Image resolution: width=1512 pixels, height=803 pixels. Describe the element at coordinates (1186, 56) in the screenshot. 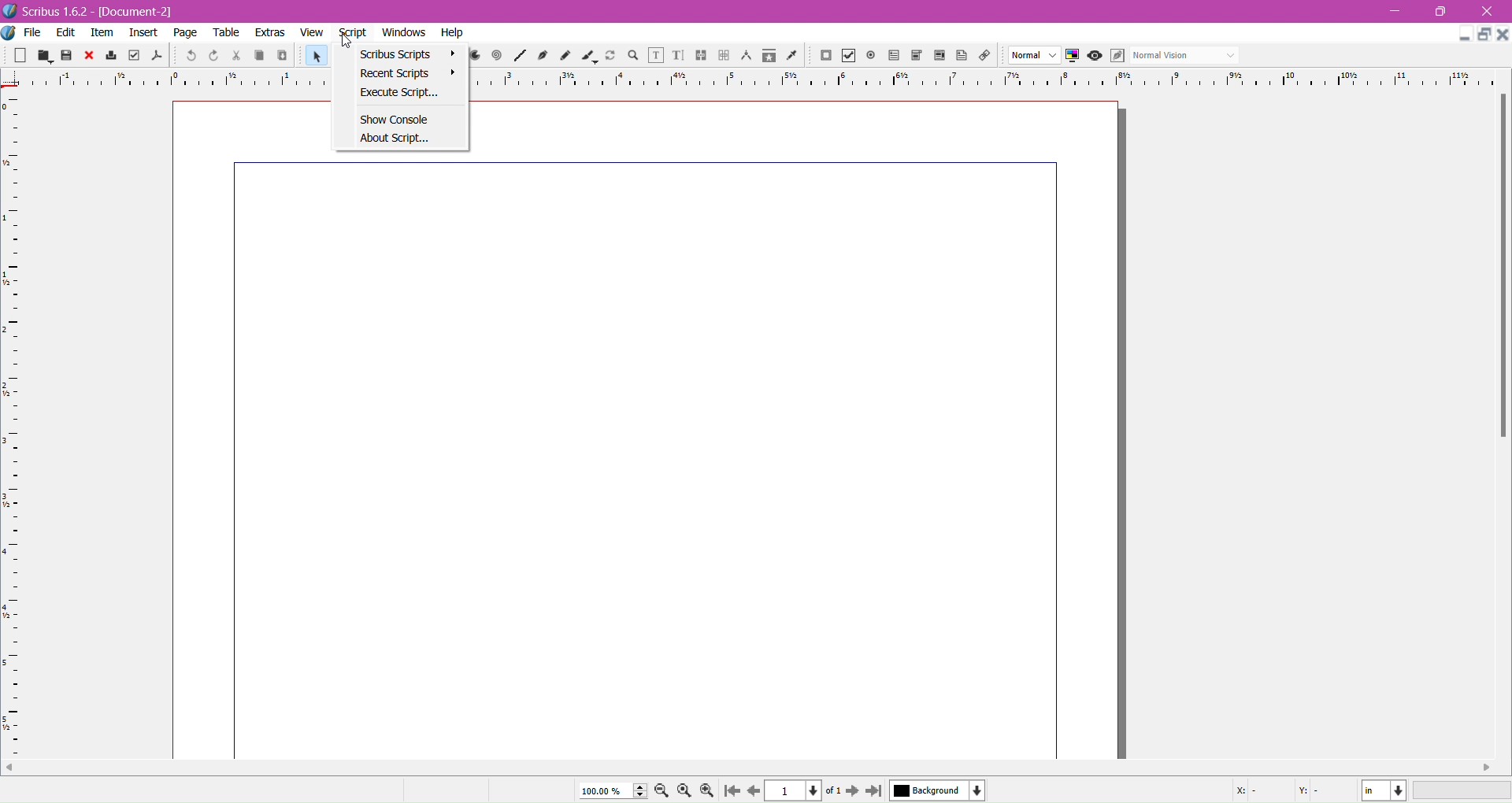

I see `Select the visual appearance of the display` at that location.